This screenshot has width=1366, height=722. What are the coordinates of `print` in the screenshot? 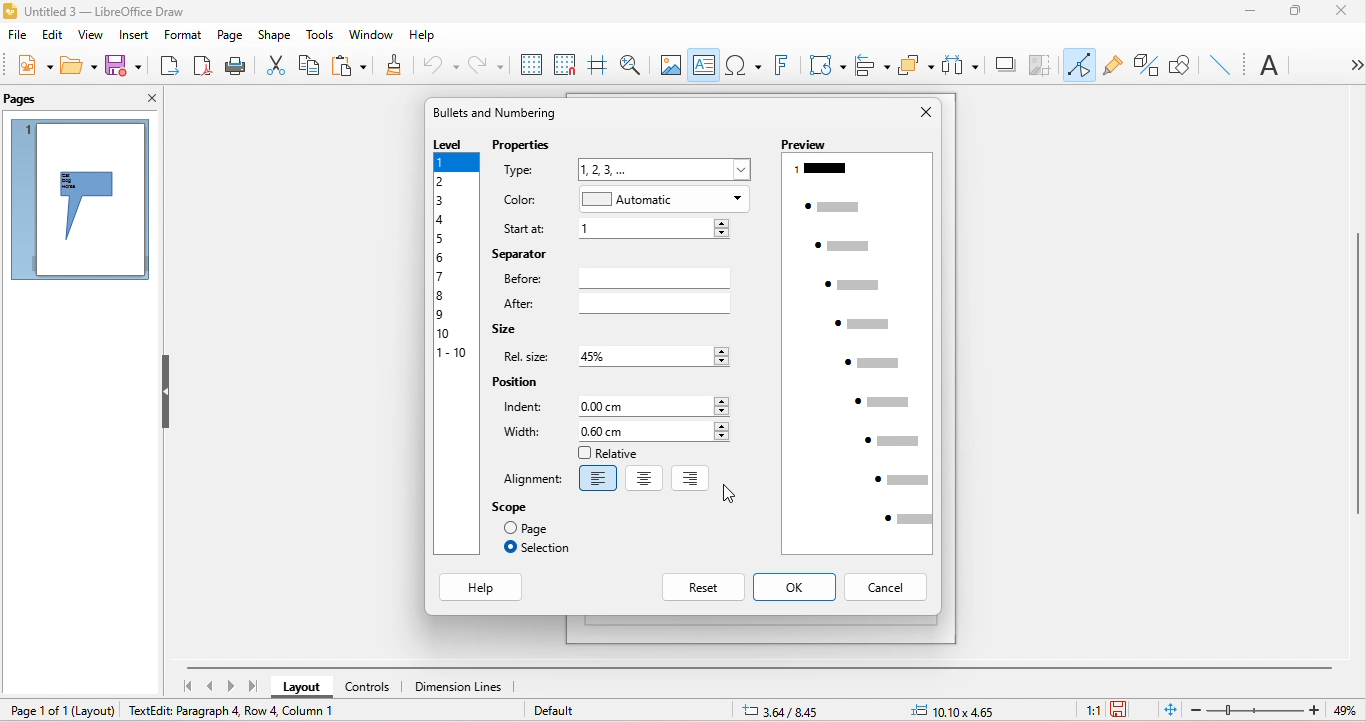 It's located at (236, 68).